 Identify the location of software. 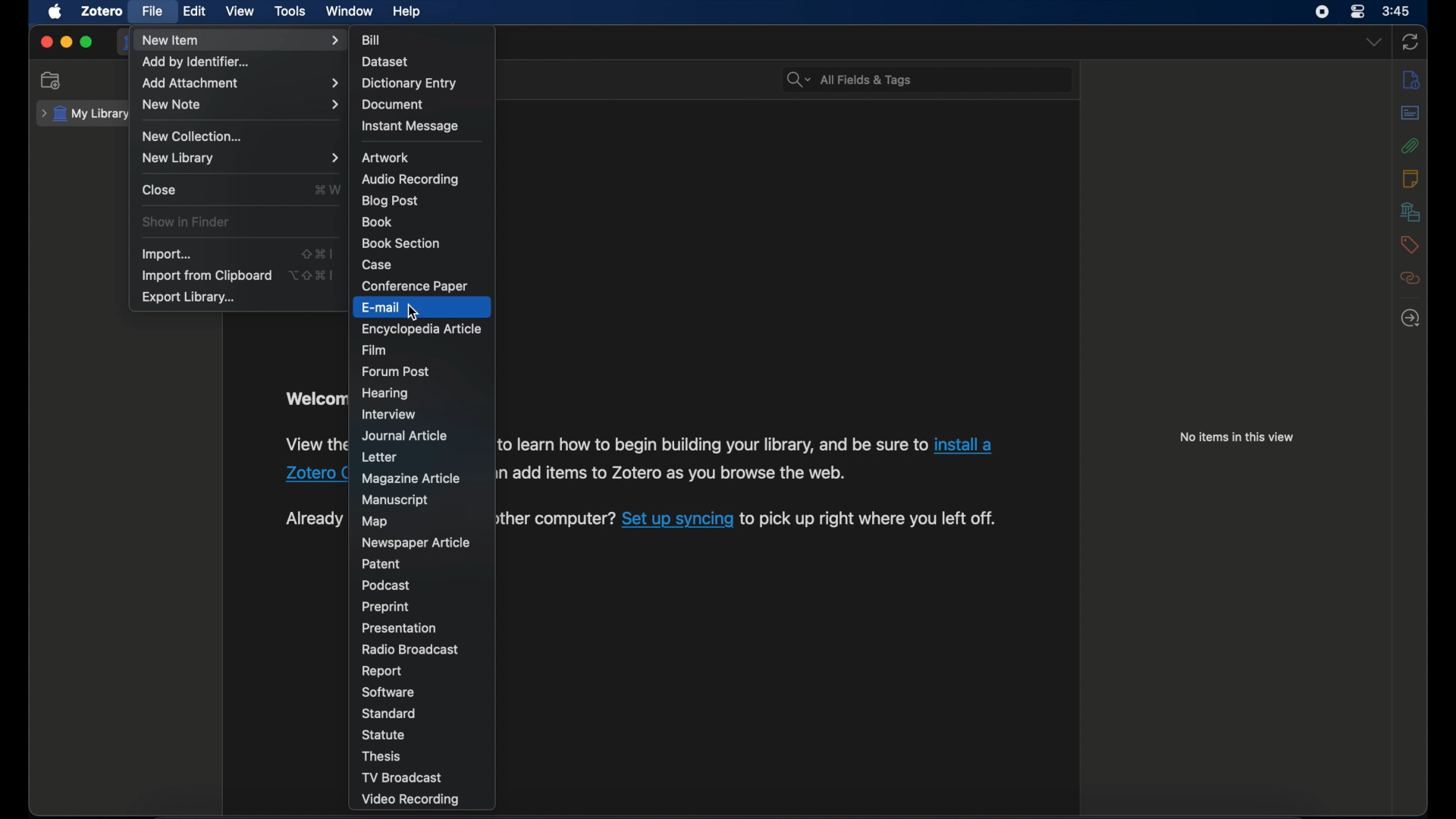
(390, 693).